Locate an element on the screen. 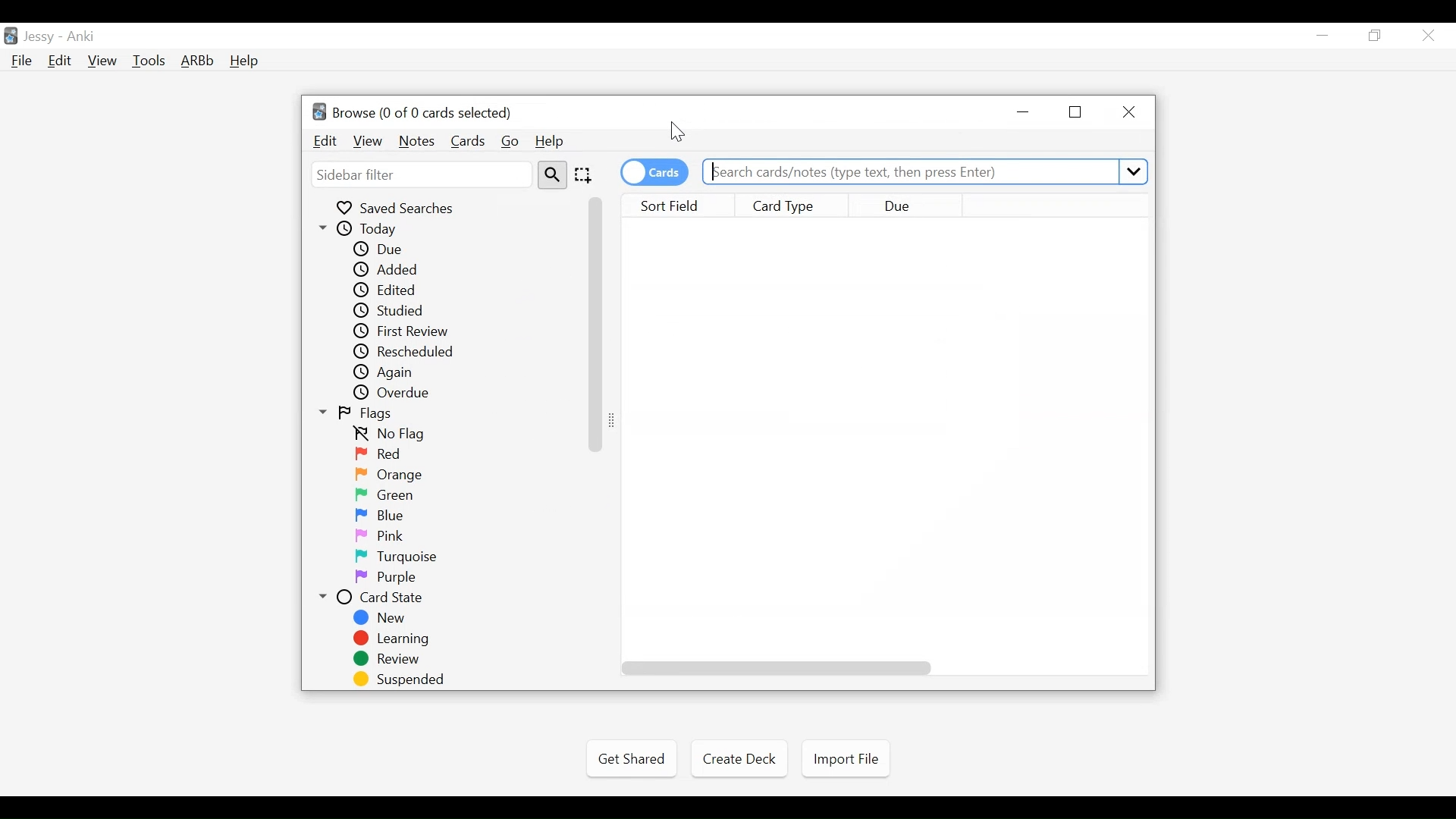  minimize is located at coordinates (1025, 113).